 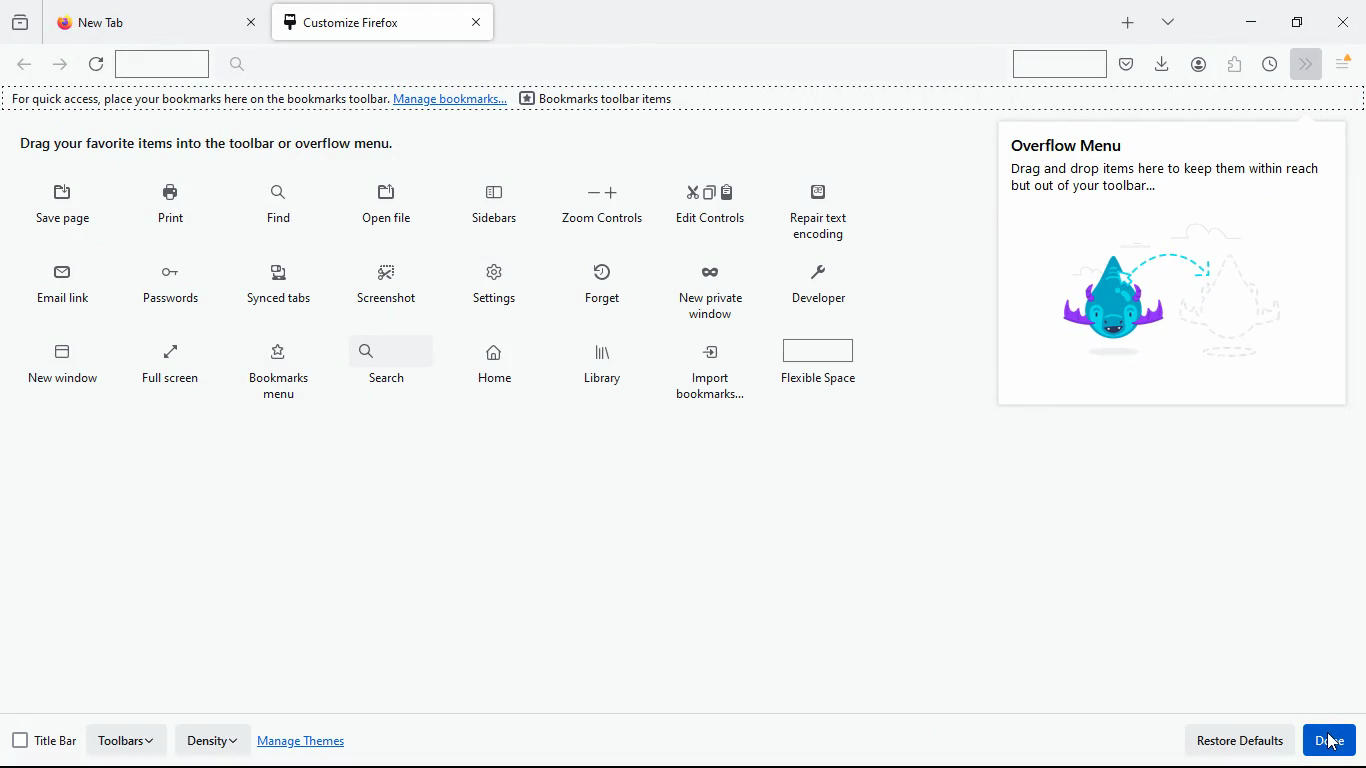 What do you see at coordinates (711, 370) in the screenshot?
I see `library` at bounding box center [711, 370].